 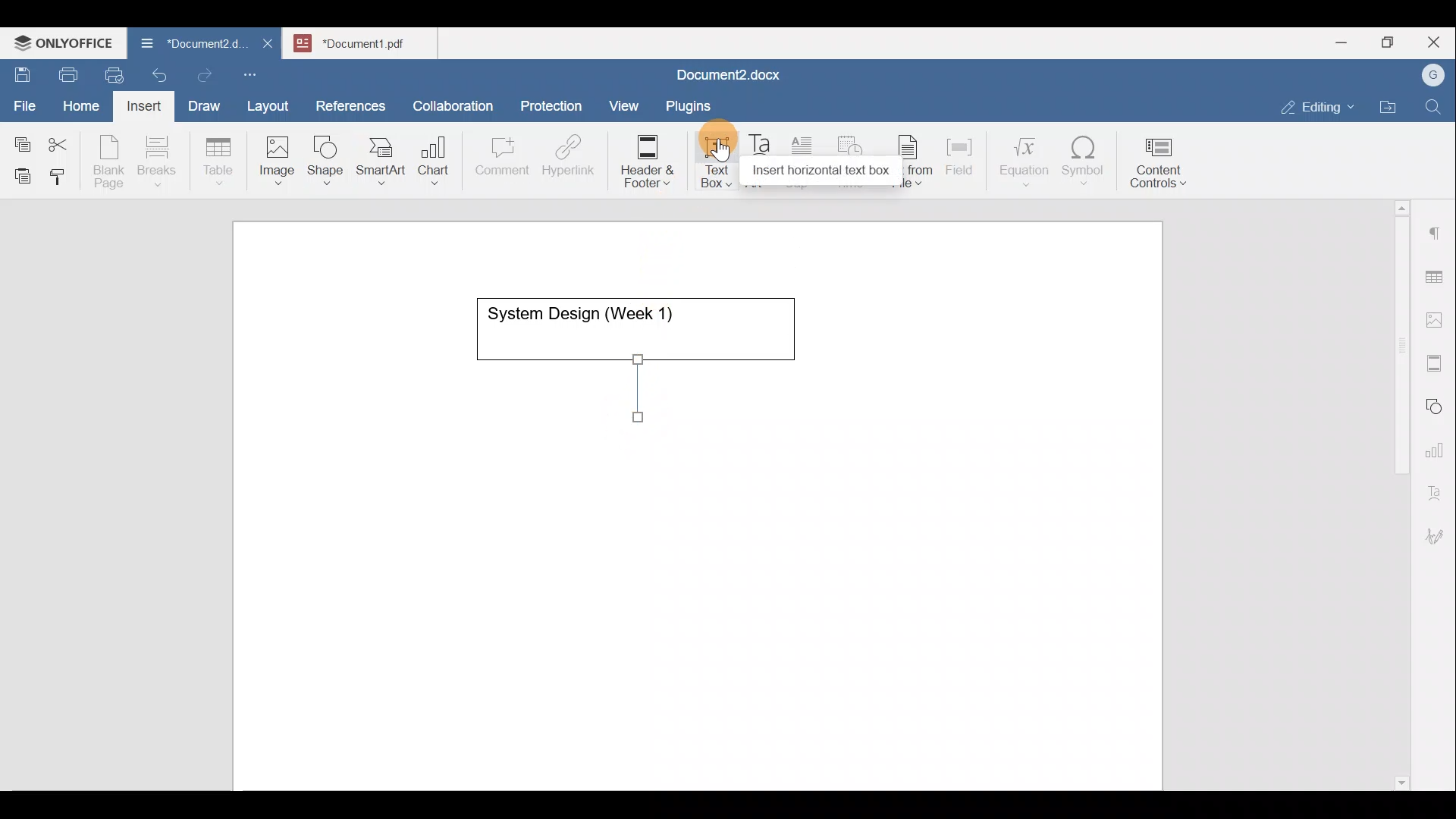 I want to click on Draw, so click(x=202, y=102).